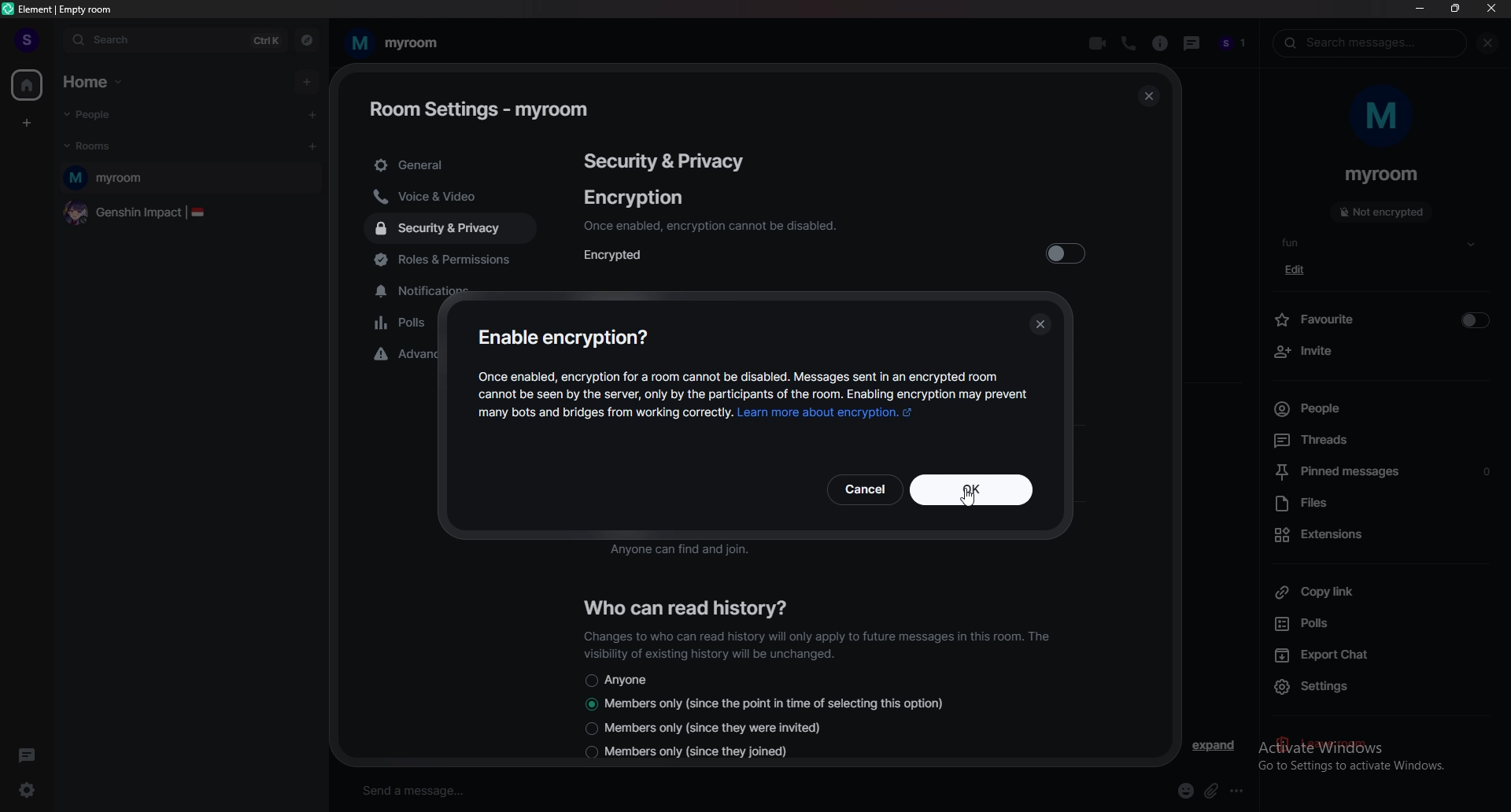 The image size is (1511, 812). What do you see at coordinates (970, 500) in the screenshot?
I see `cursor` at bounding box center [970, 500].